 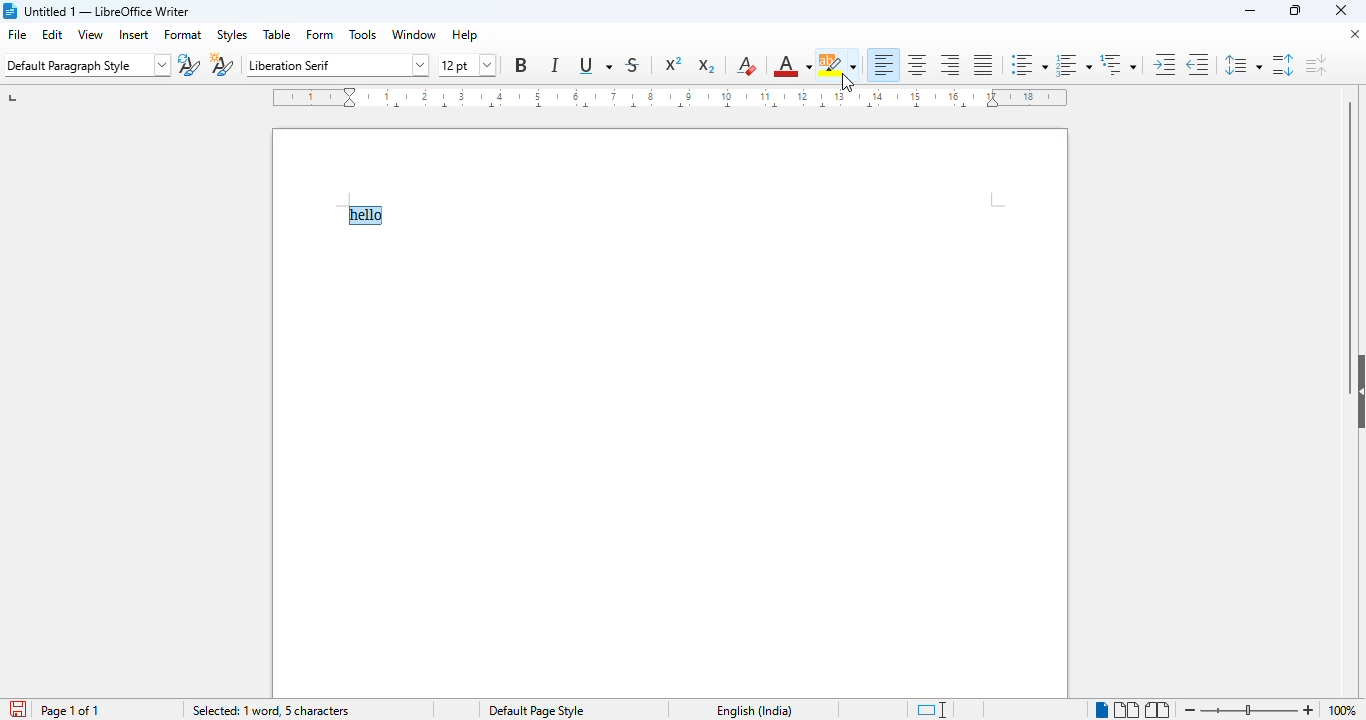 I want to click on strikethrough, so click(x=633, y=65).